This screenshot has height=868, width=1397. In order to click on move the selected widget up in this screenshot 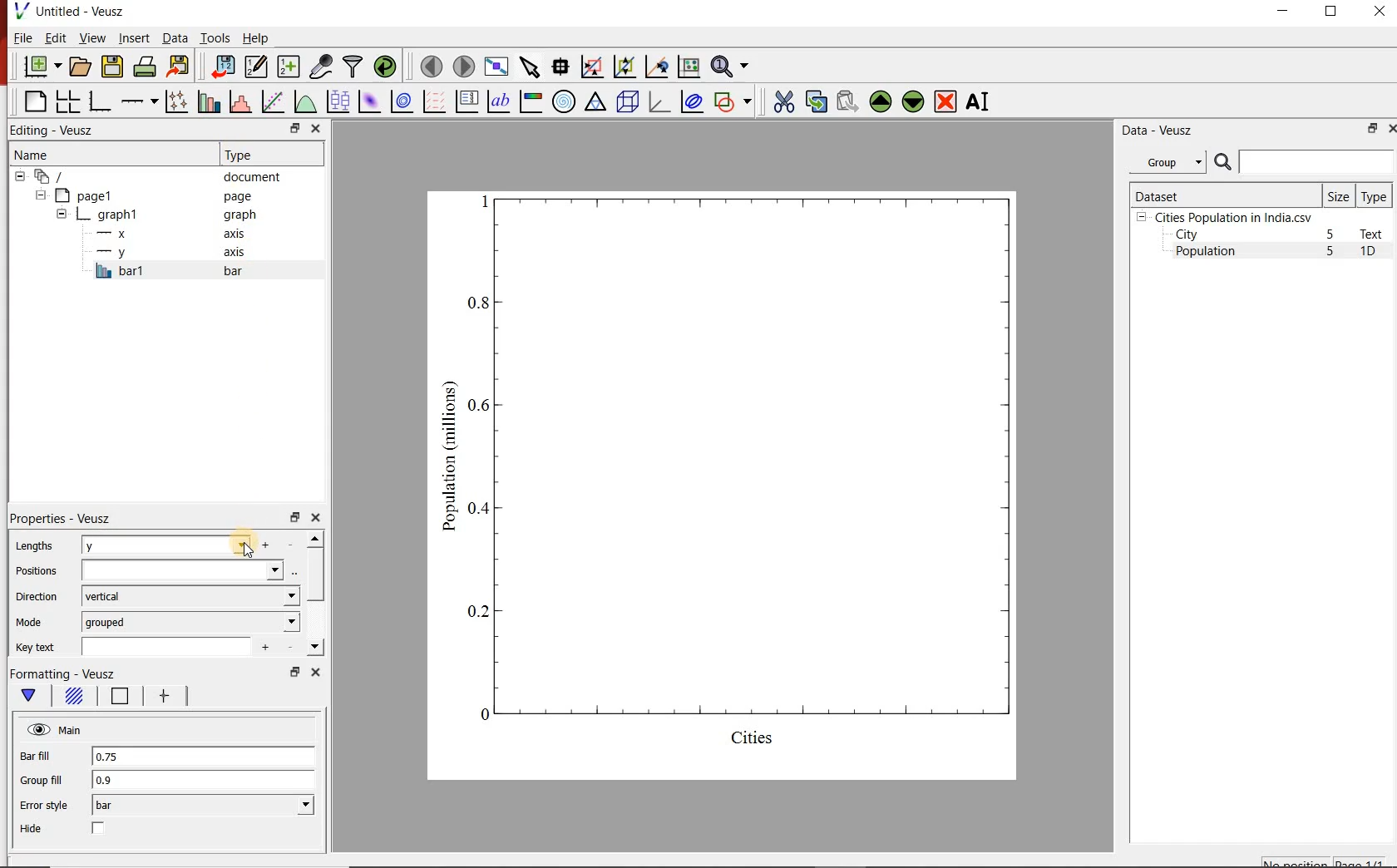, I will do `click(881, 101)`.